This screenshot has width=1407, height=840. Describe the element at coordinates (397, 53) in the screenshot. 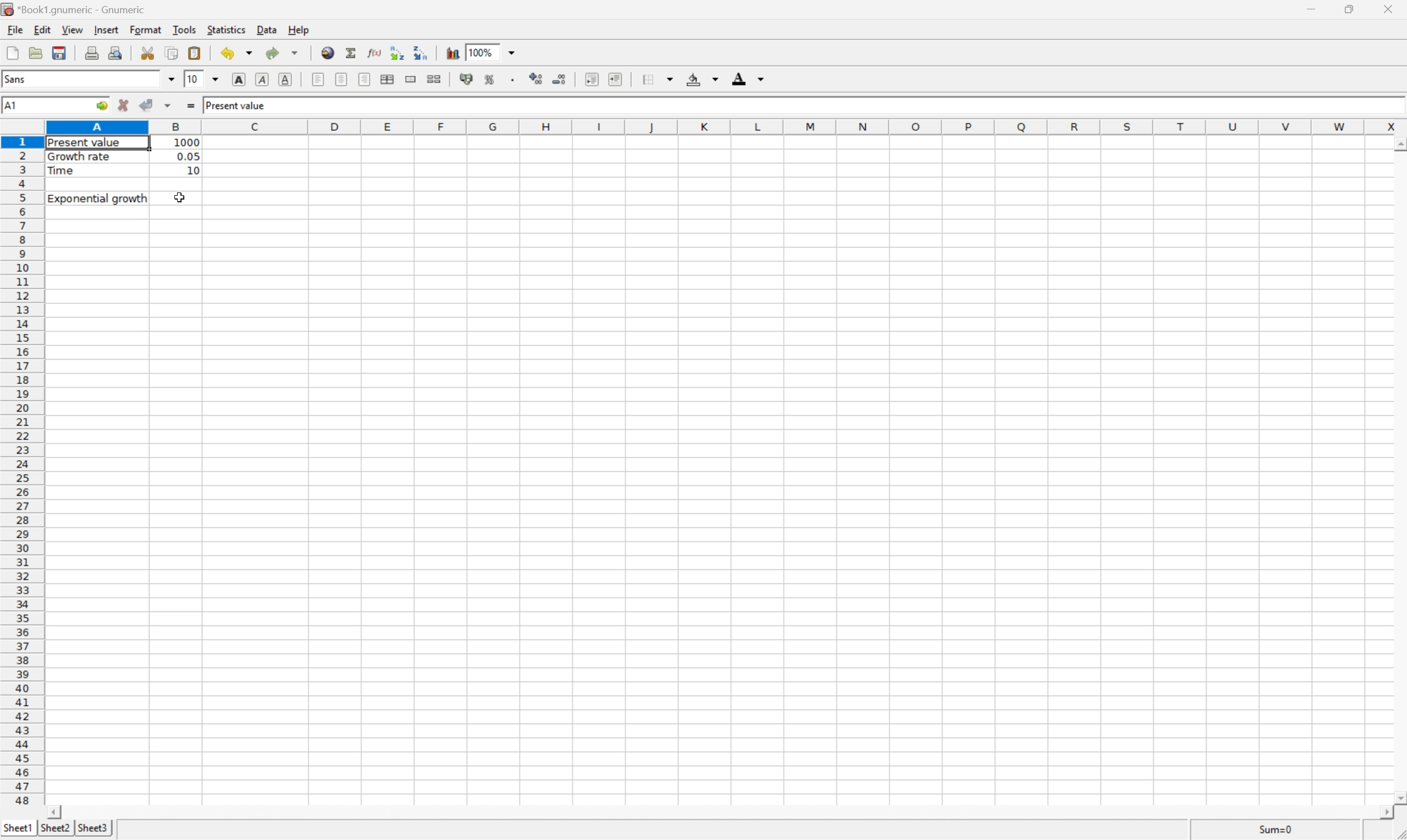

I see `Decrease indent, and align the contents to the left` at that location.